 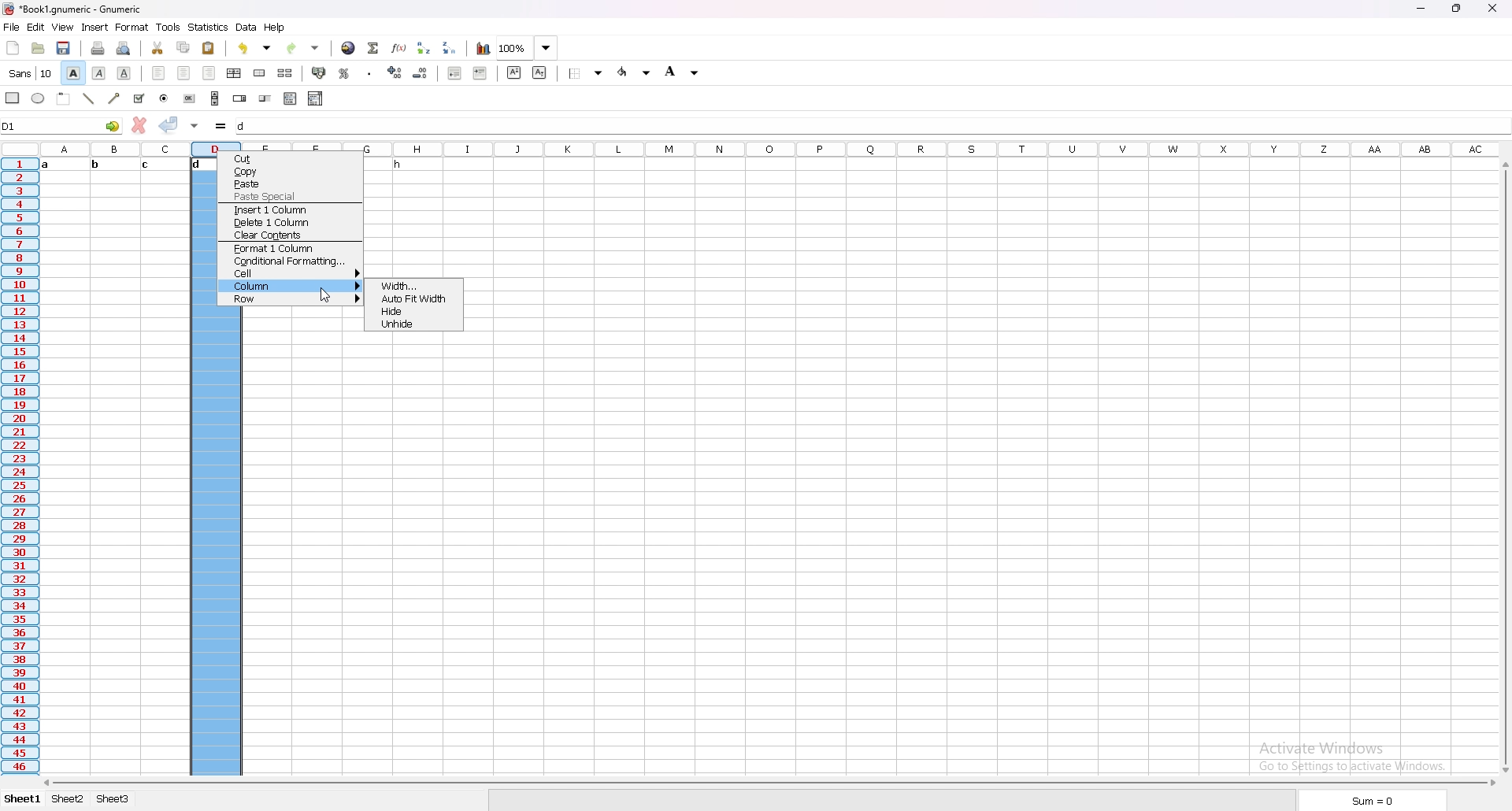 I want to click on paste special, so click(x=291, y=197).